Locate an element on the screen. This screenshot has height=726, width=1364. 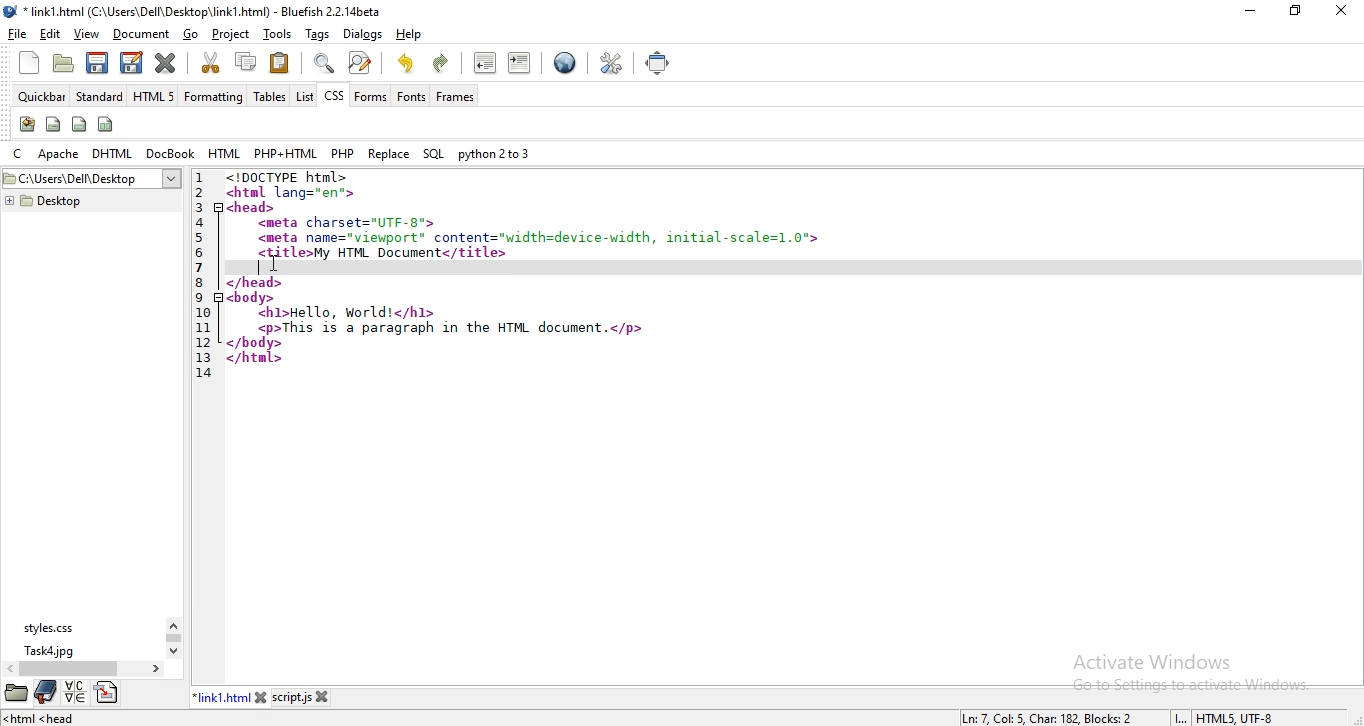
tables is located at coordinates (270, 95).